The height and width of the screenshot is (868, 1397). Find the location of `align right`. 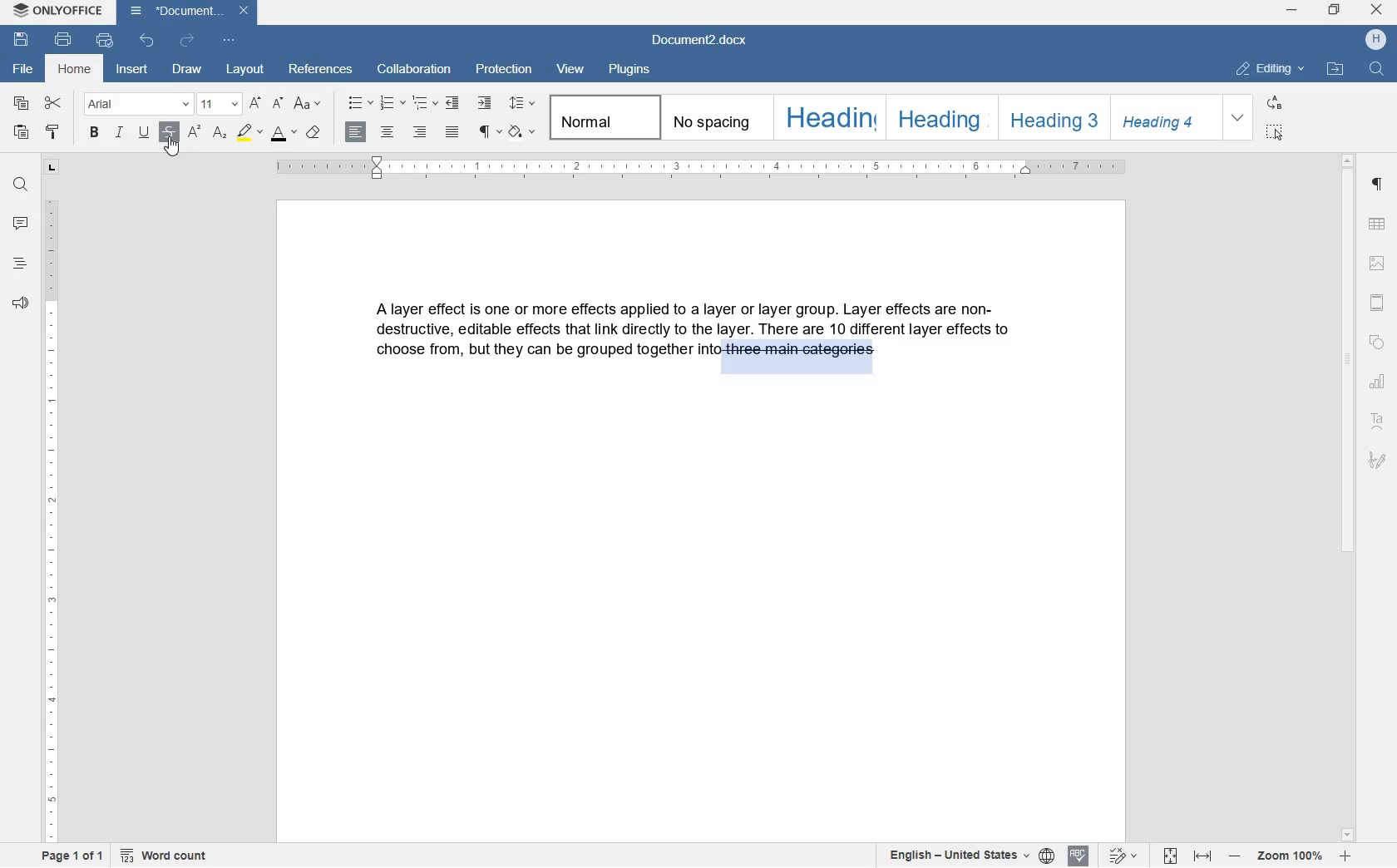

align right is located at coordinates (422, 133).